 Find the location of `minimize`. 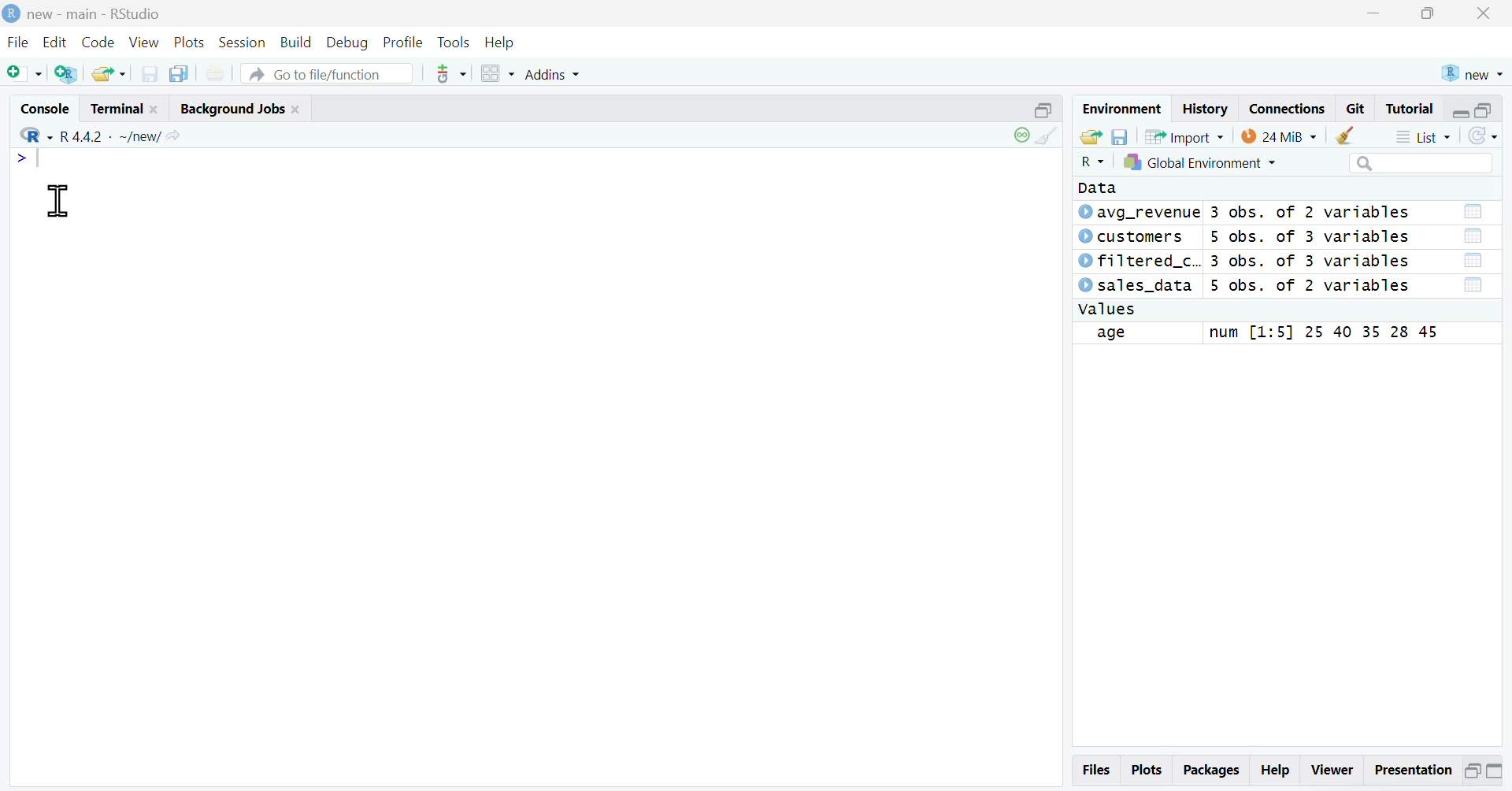

minimize is located at coordinates (1046, 109).